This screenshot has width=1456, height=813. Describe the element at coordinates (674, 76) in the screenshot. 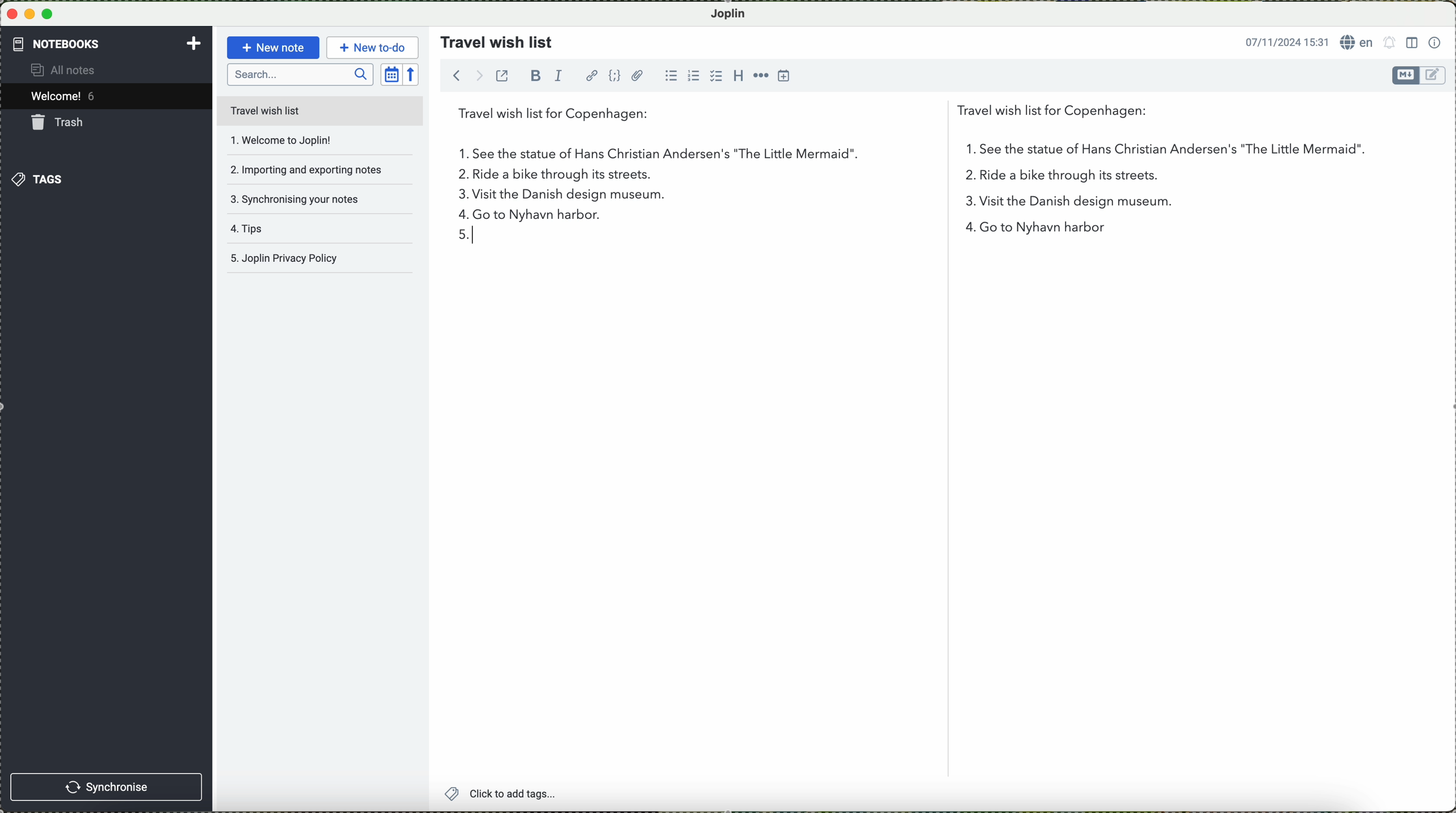

I see `bulleted list` at that location.